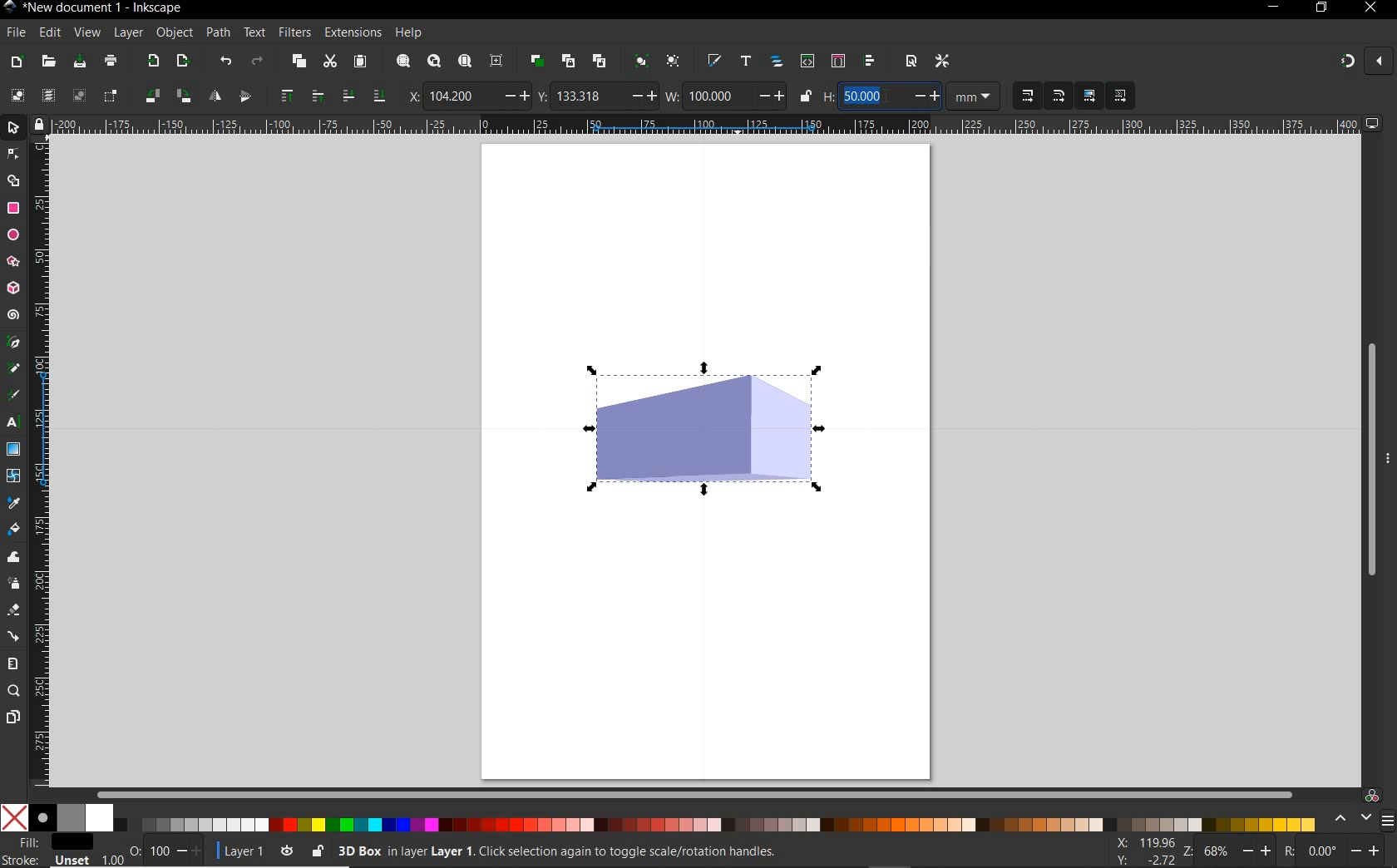 Image resolution: width=1397 pixels, height=868 pixels. I want to click on lock/unlock, so click(806, 96).